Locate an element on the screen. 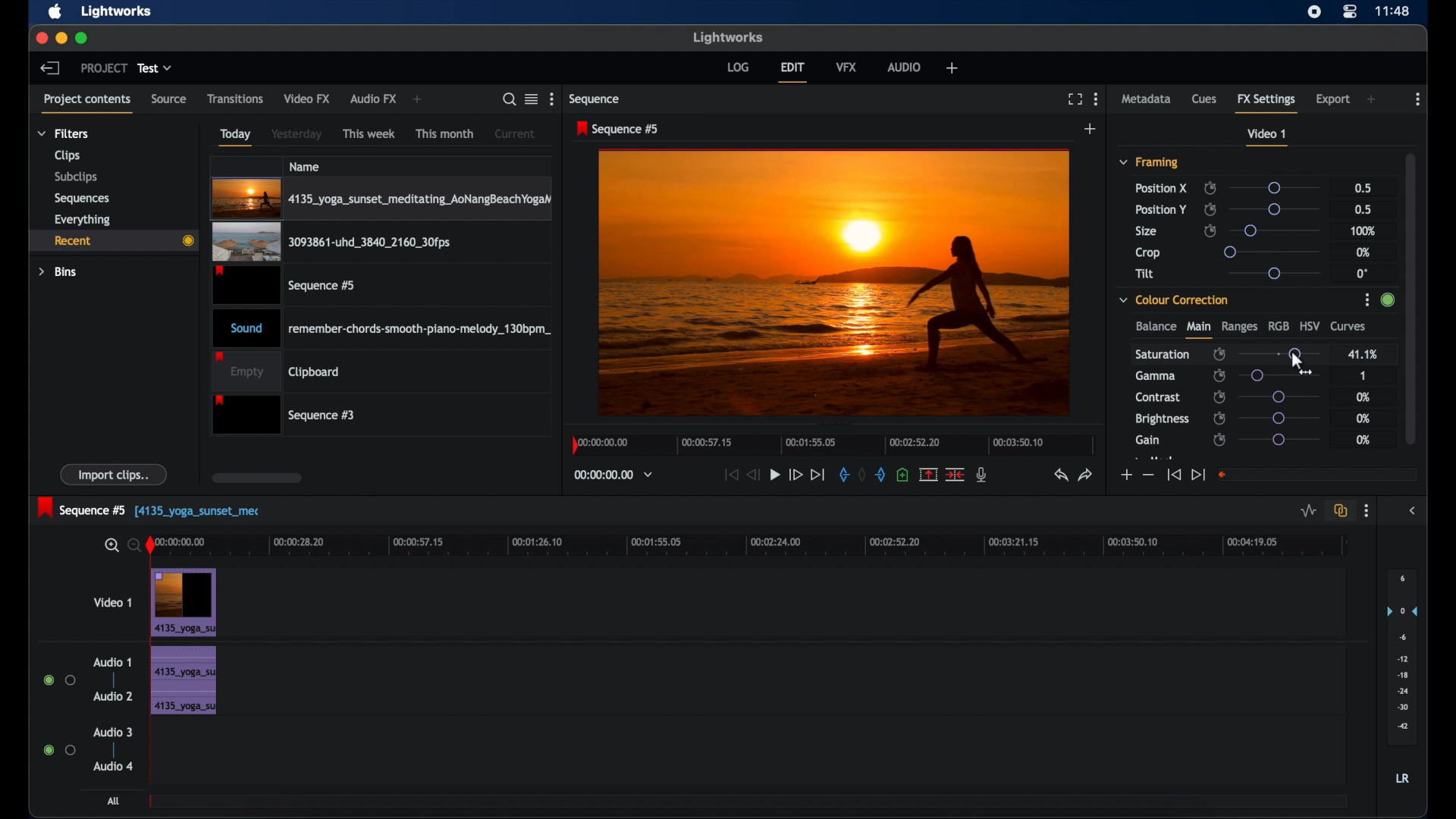 This screenshot has width=1456, height=819. tilt is located at coordinates (1145, 274).